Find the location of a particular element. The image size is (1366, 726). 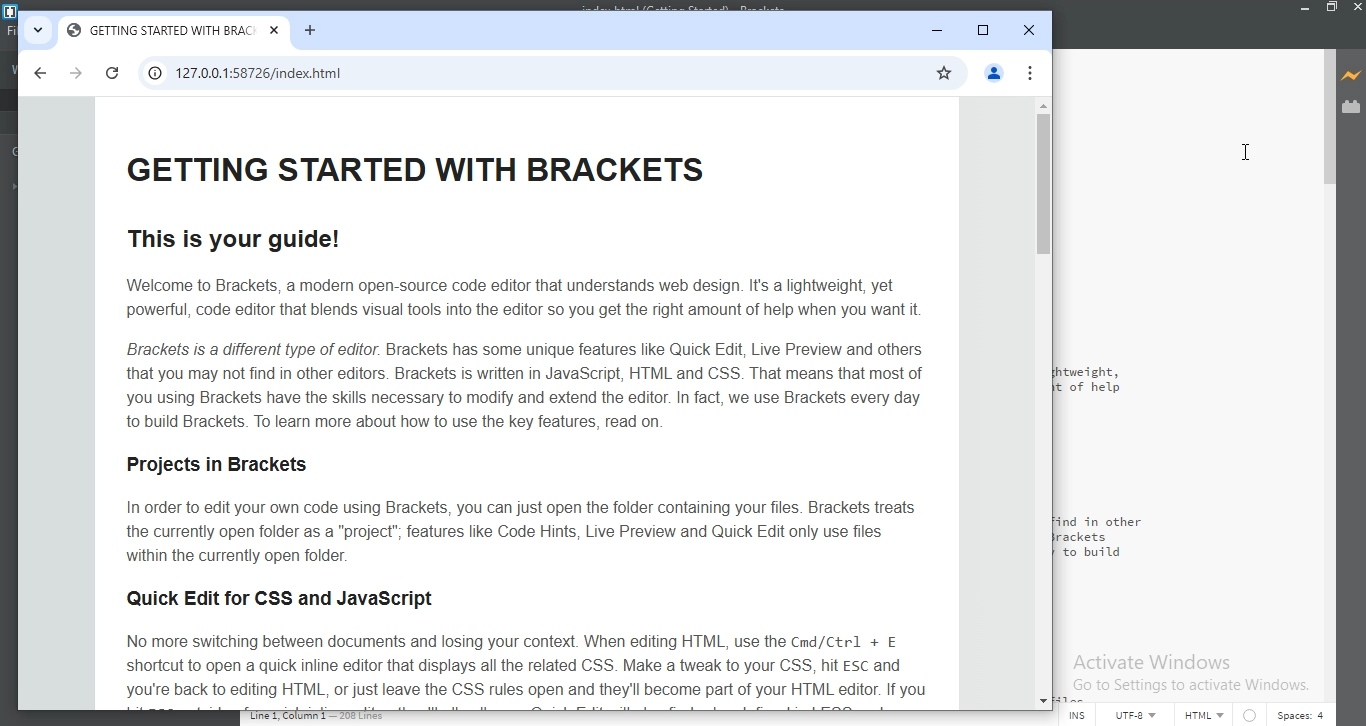

minimise is located at coordinates (938, 26).